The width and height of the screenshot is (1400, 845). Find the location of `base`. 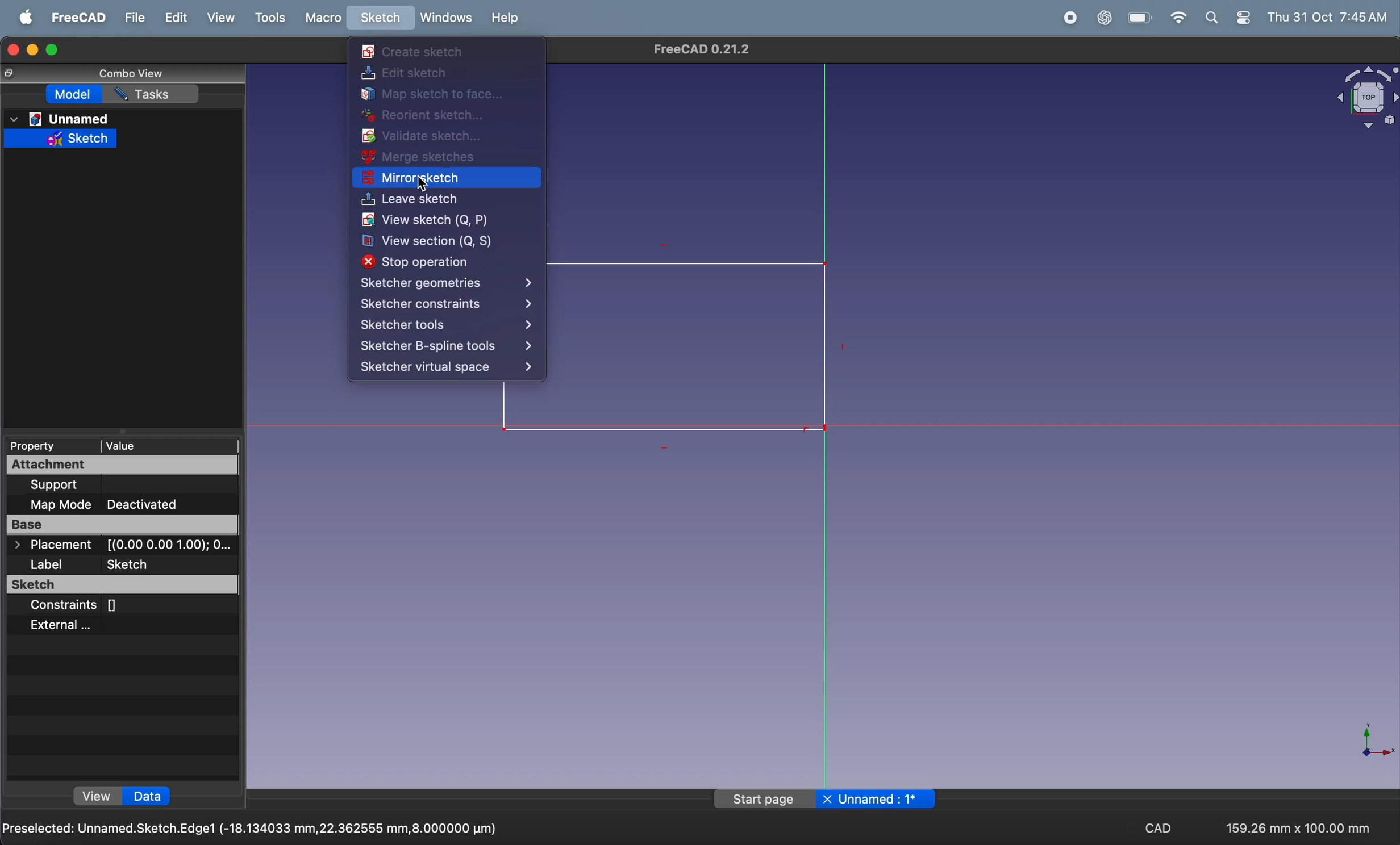

base is located at coordinates (123, 524).